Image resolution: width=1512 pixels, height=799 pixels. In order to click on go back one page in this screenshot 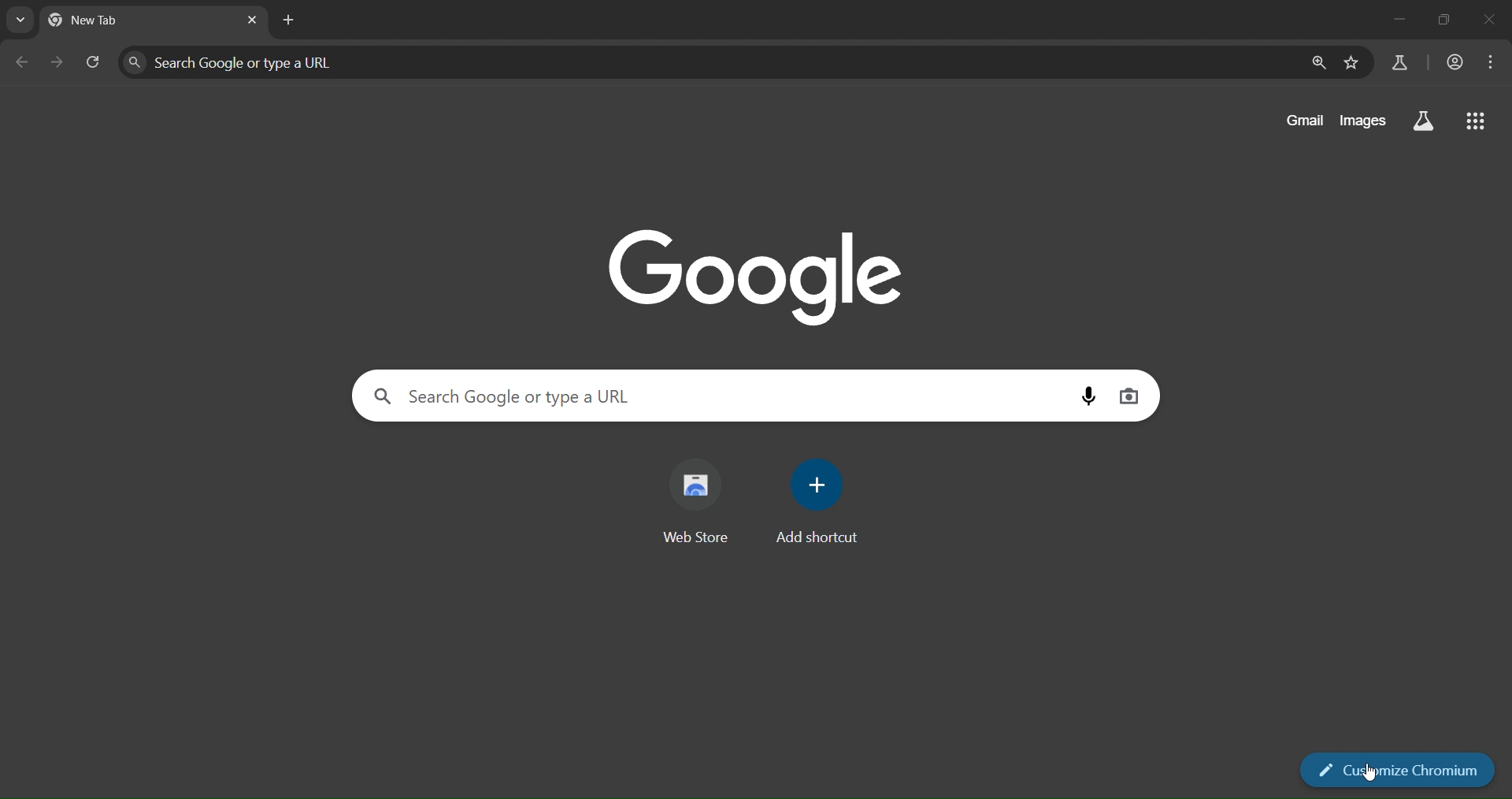, I will do `click(22, 61)`.